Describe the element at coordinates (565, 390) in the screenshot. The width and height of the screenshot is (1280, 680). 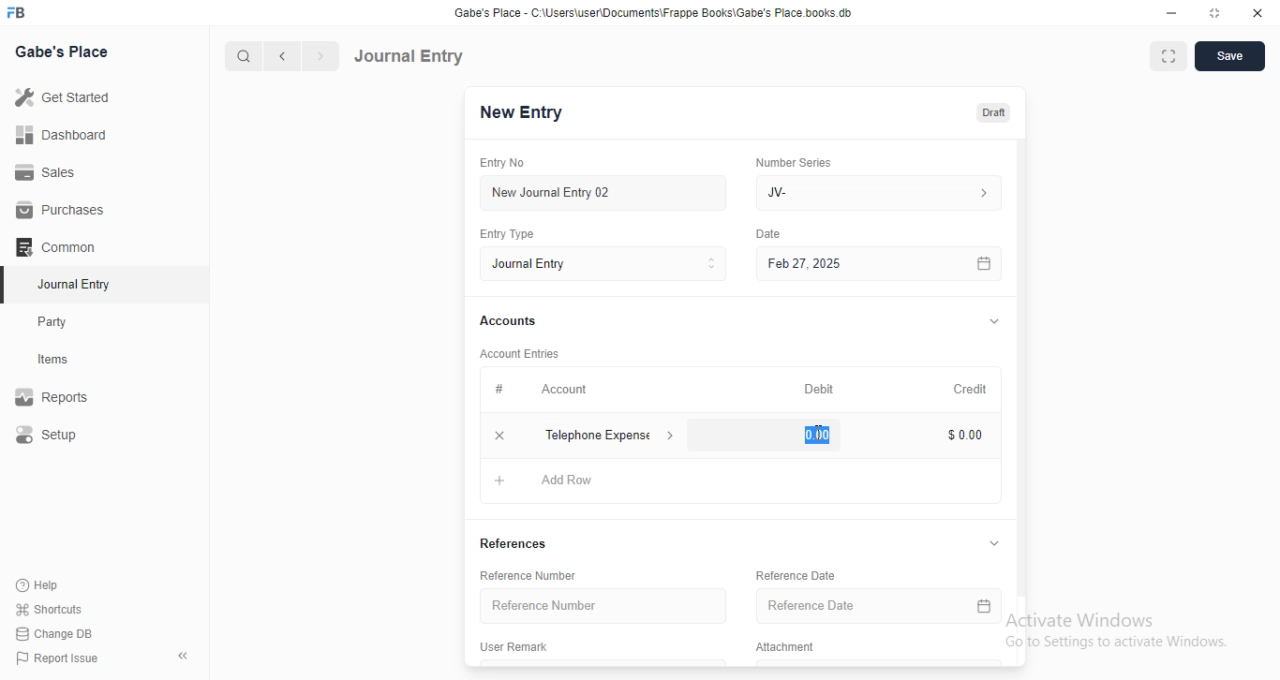
I see `Account` at that location.